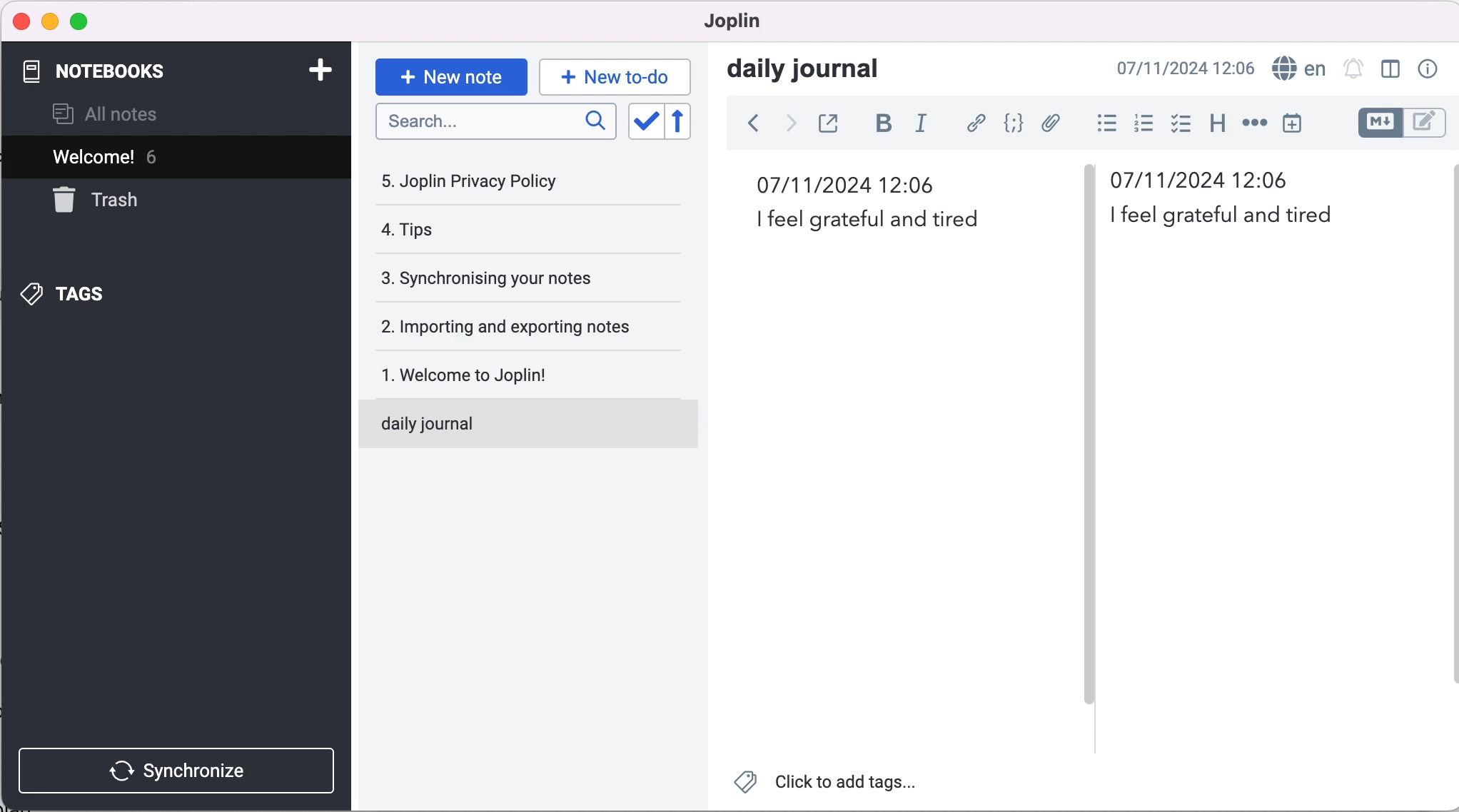  Describe the element at coordinates (1429, 71) in the screenshot. I see `note properties` at that location.